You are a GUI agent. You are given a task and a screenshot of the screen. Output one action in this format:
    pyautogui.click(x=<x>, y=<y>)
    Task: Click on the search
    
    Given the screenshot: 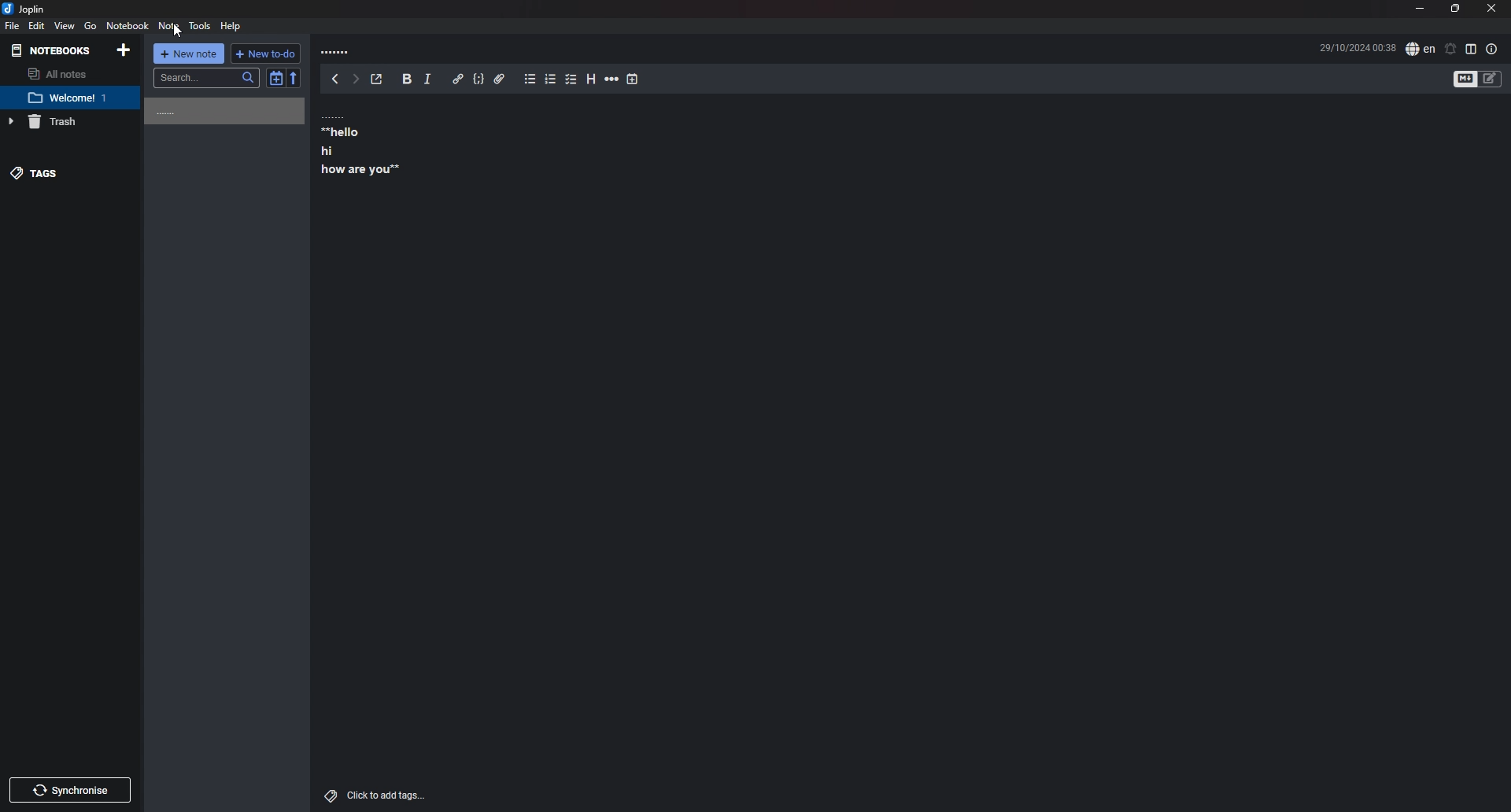 What is the action you would take?
    pyautogui.click(x=208, y=78)
    